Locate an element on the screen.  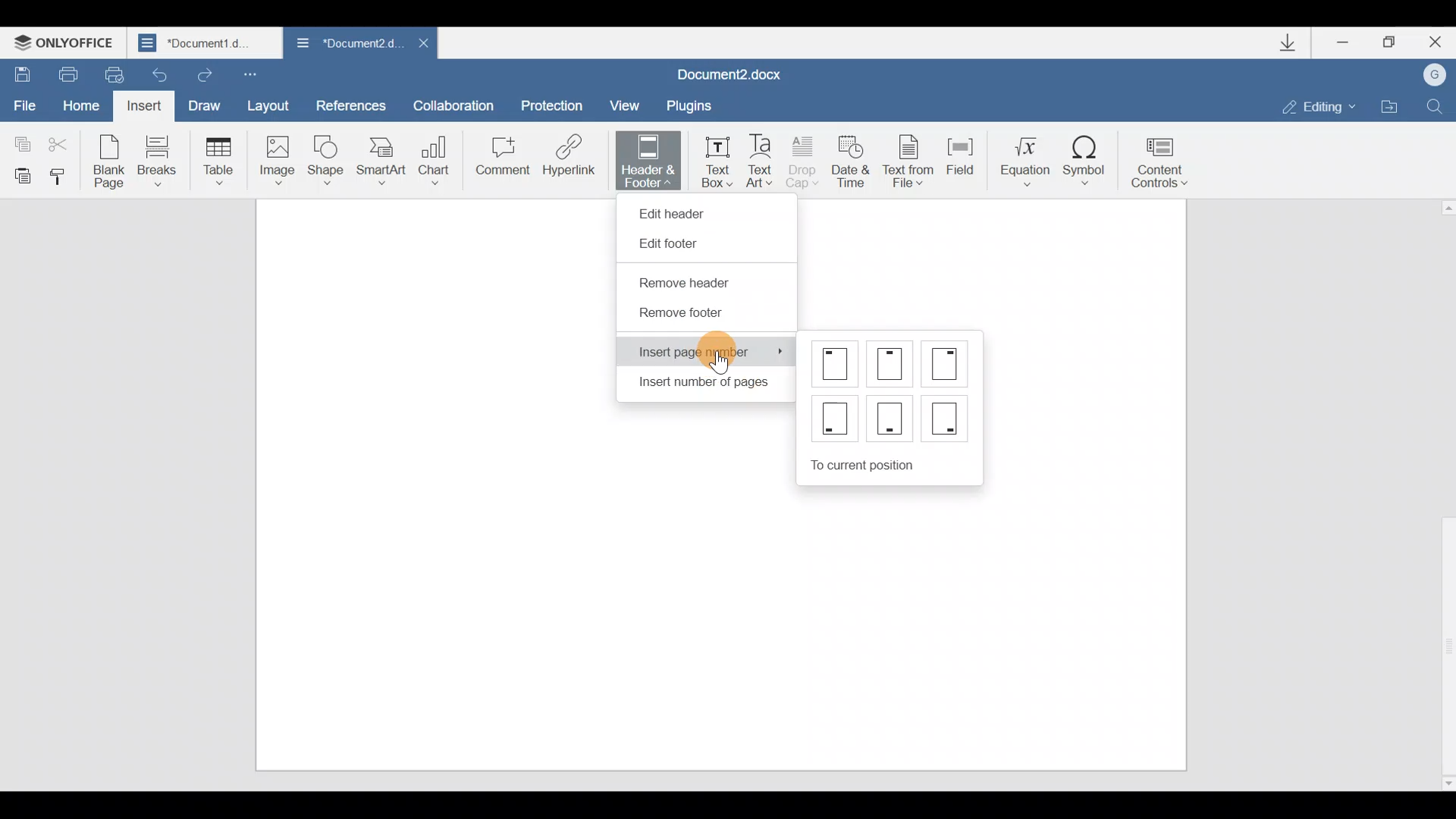
ONLYOFFICE is located at coordinates (68, 39).